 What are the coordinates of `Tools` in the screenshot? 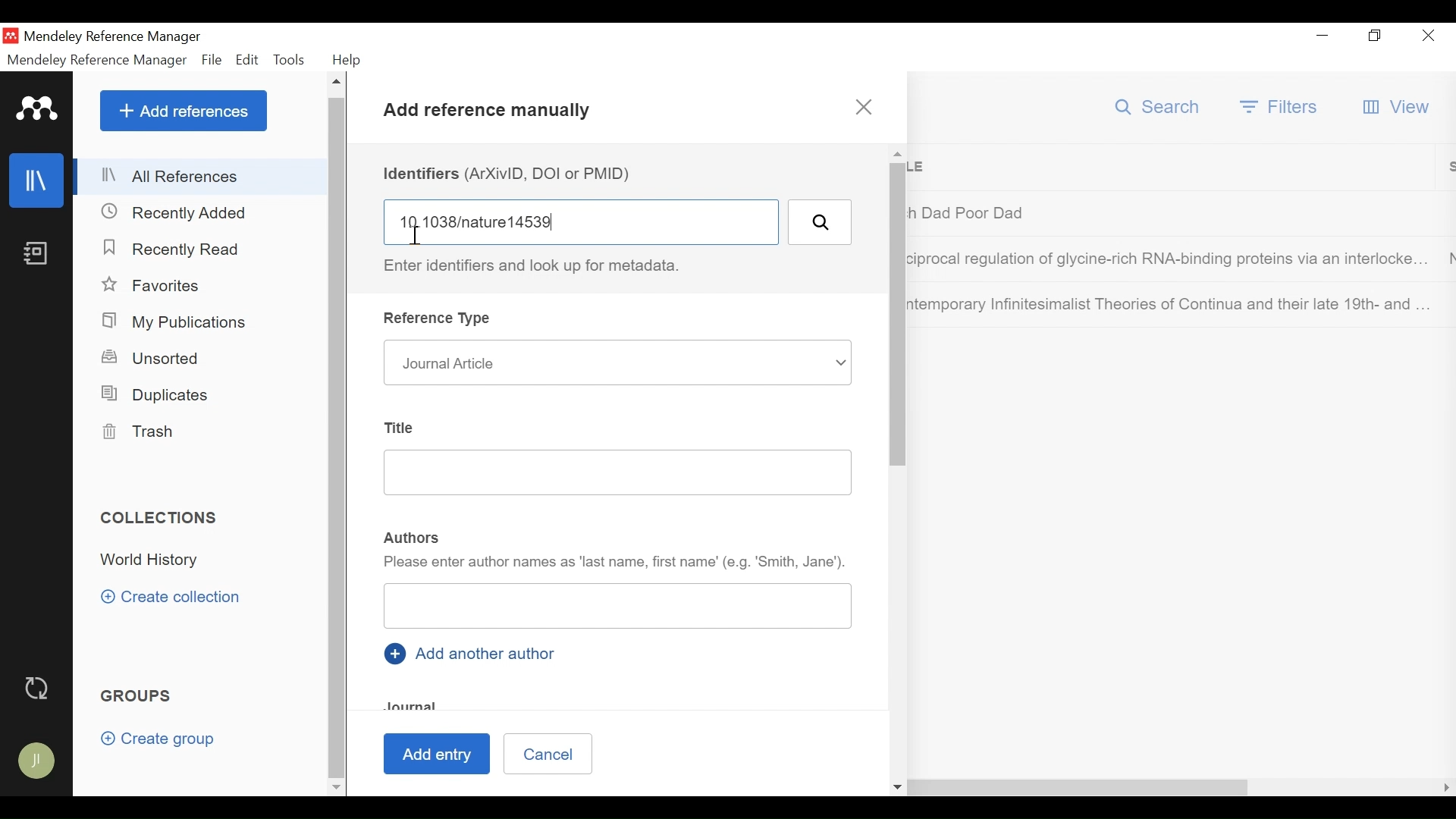 It's located at (292, 60).